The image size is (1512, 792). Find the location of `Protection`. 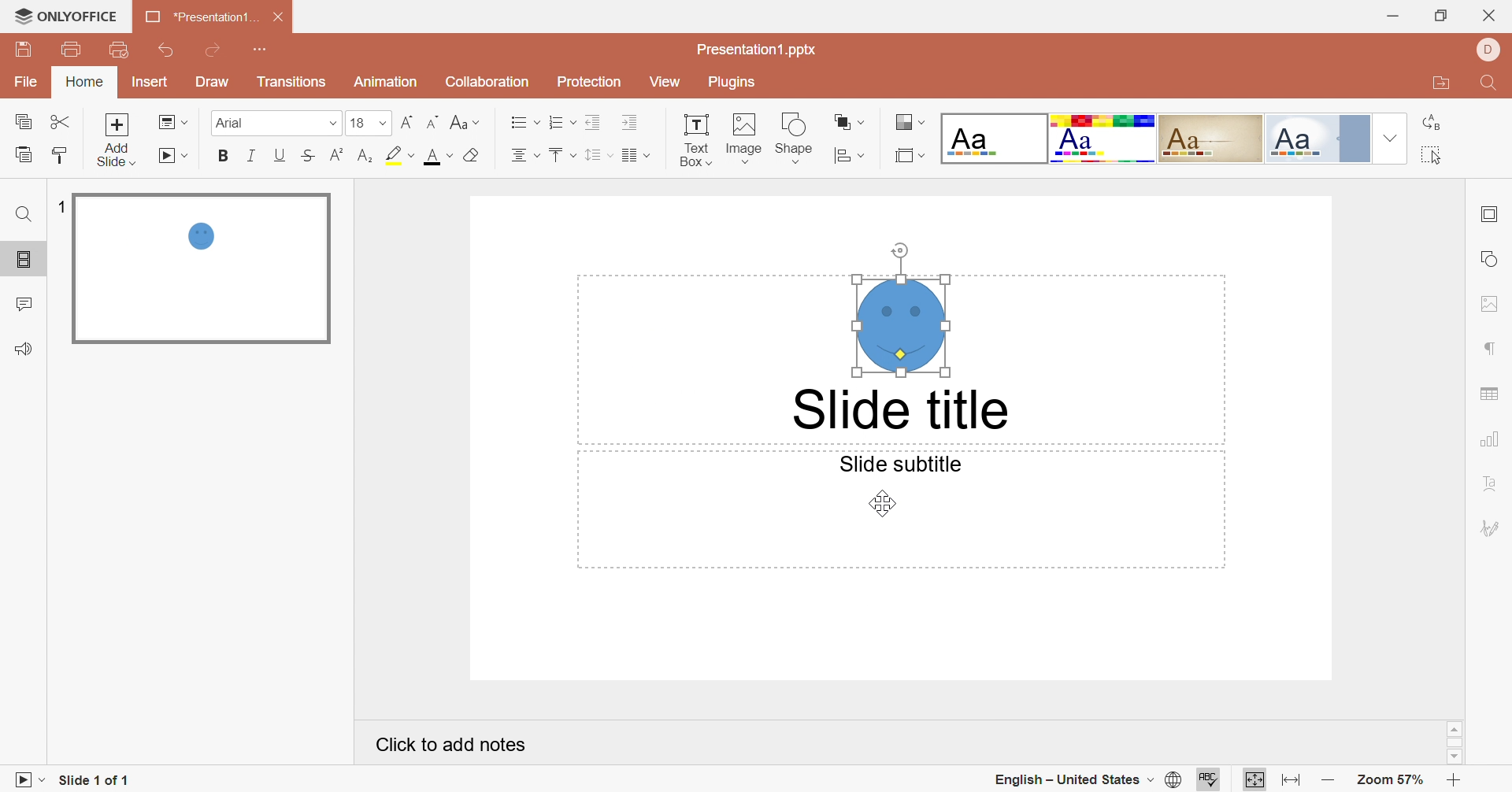

Protection is located at coordinates (587, 83).